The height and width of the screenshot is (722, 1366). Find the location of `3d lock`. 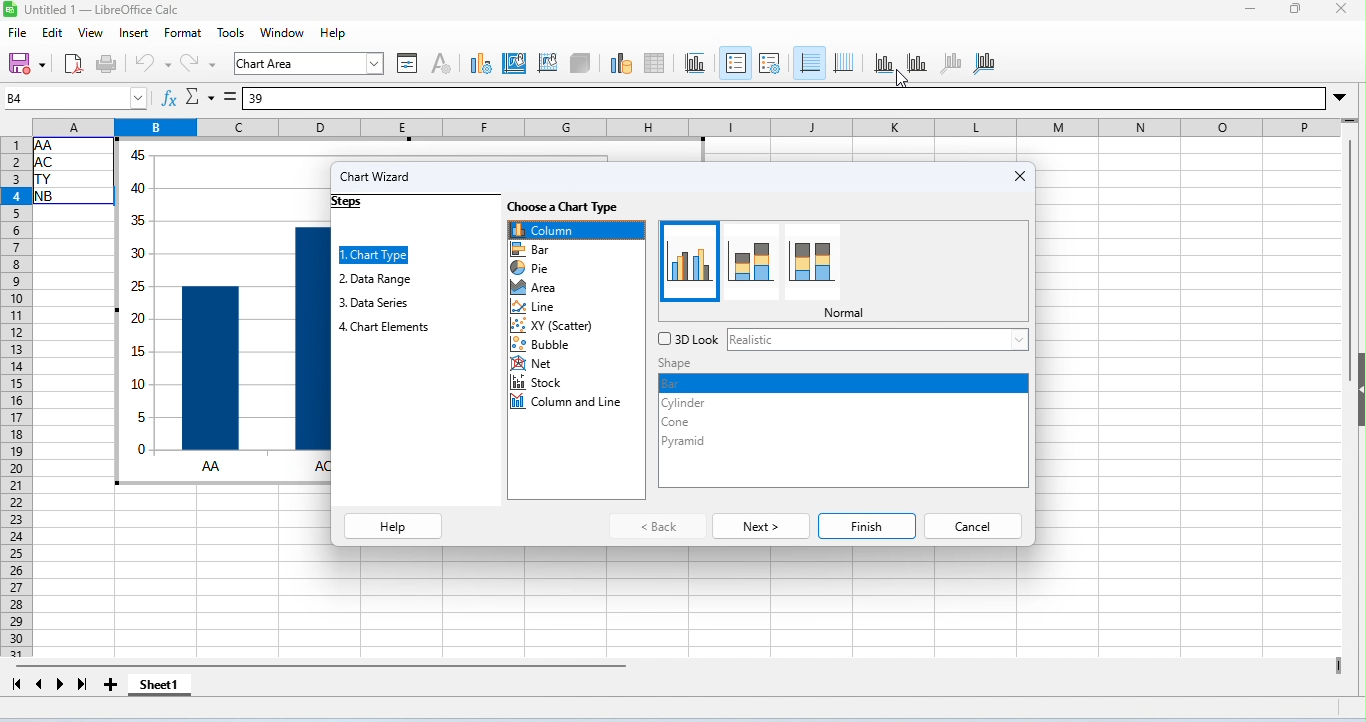

3d lock is located at coordinates (686, 339).